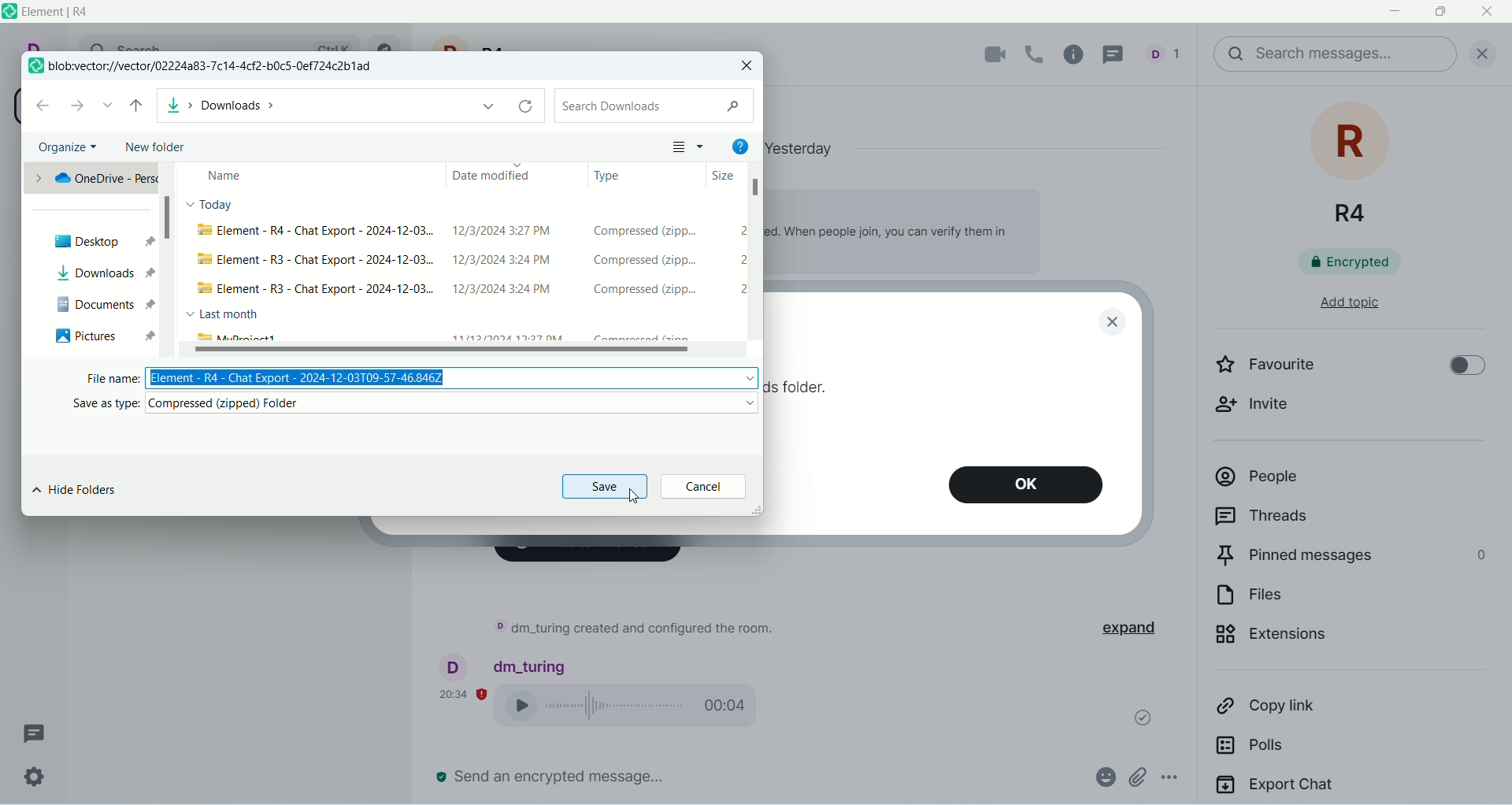 The image size is (1512, 805). I want to click on location, so click(215, 67).